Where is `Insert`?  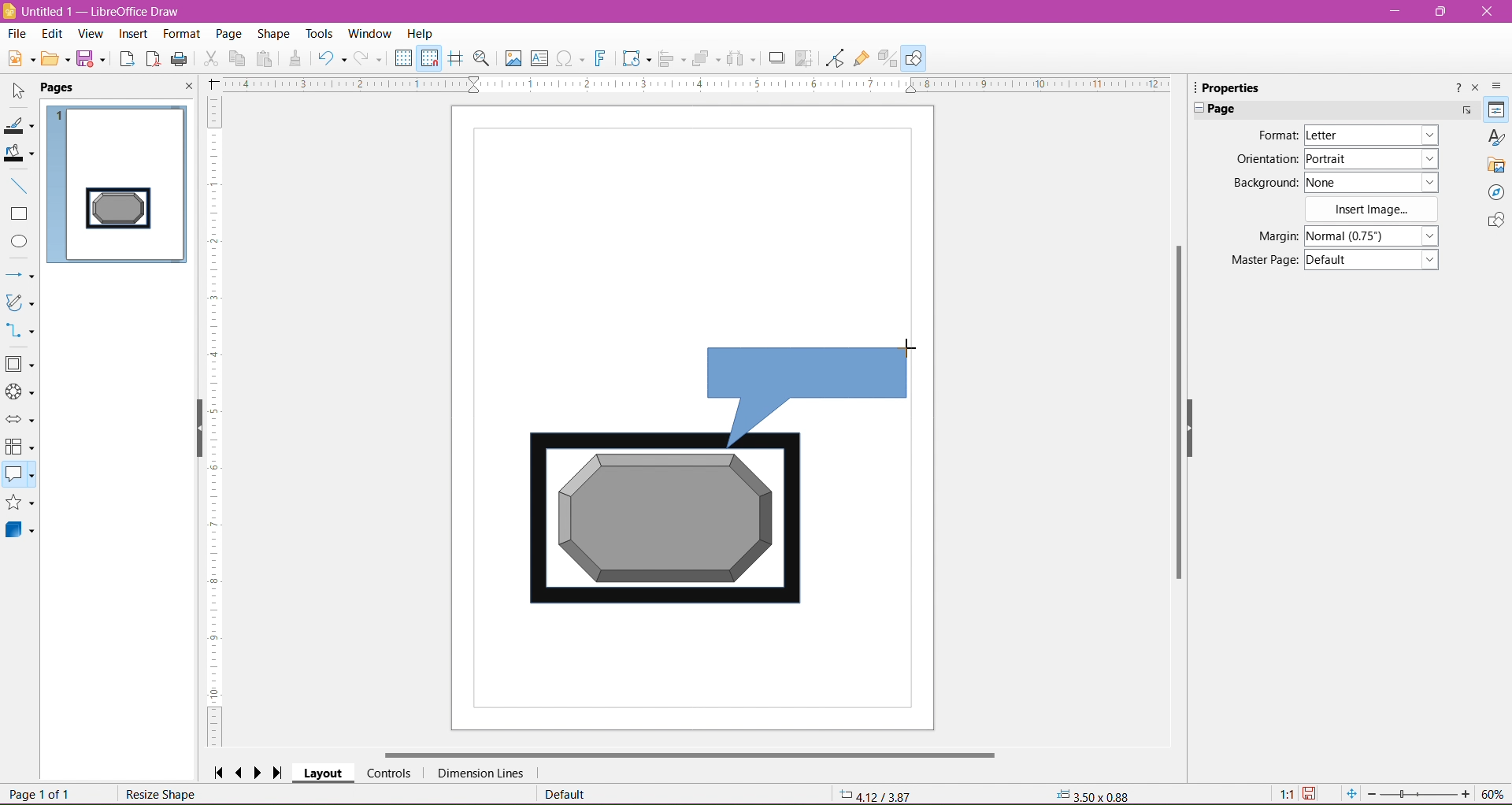 Insert is located at coordinates (132, 34).